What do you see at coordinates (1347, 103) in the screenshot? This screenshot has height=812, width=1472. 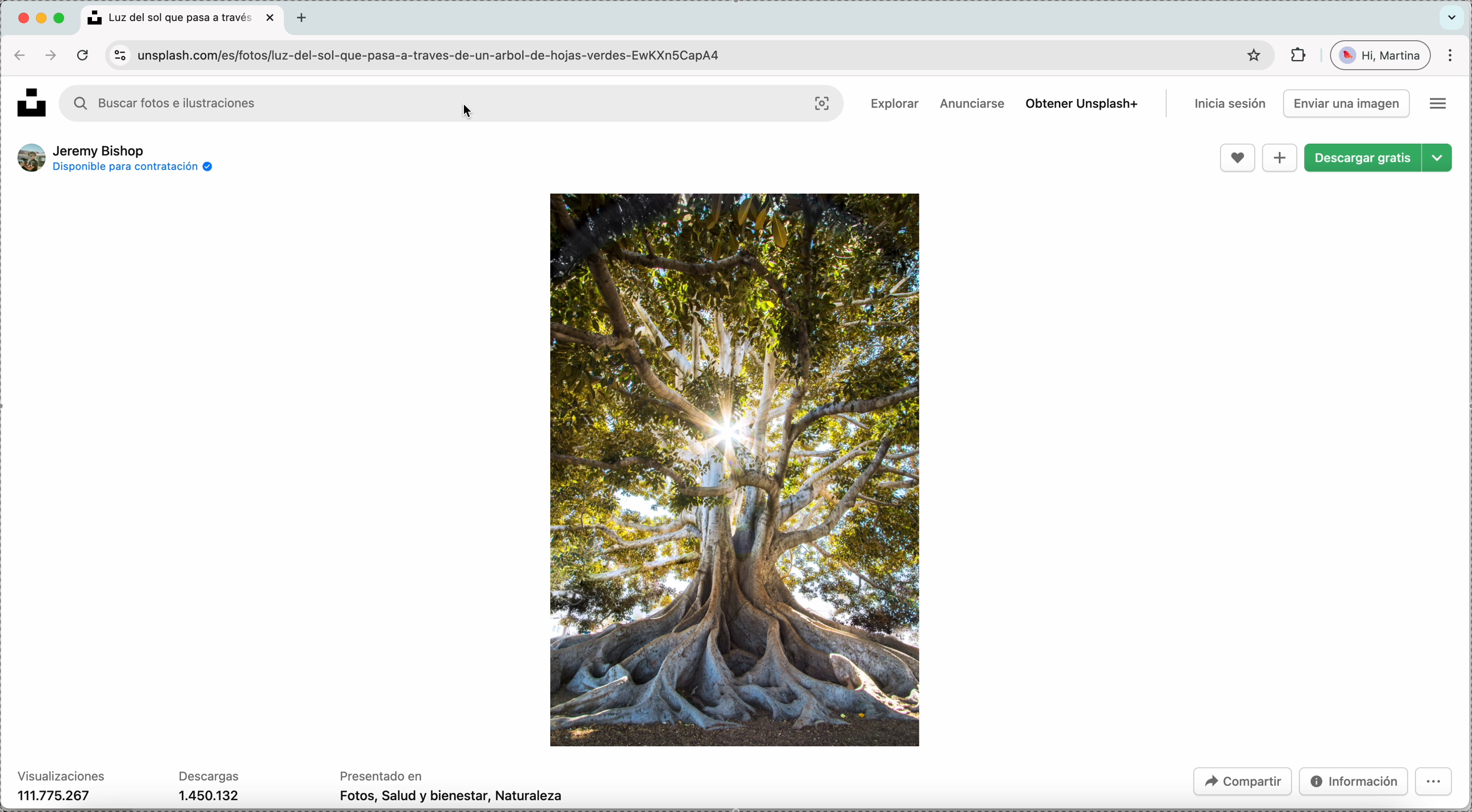 I see `send an image` at bounding box center [1347, 103].